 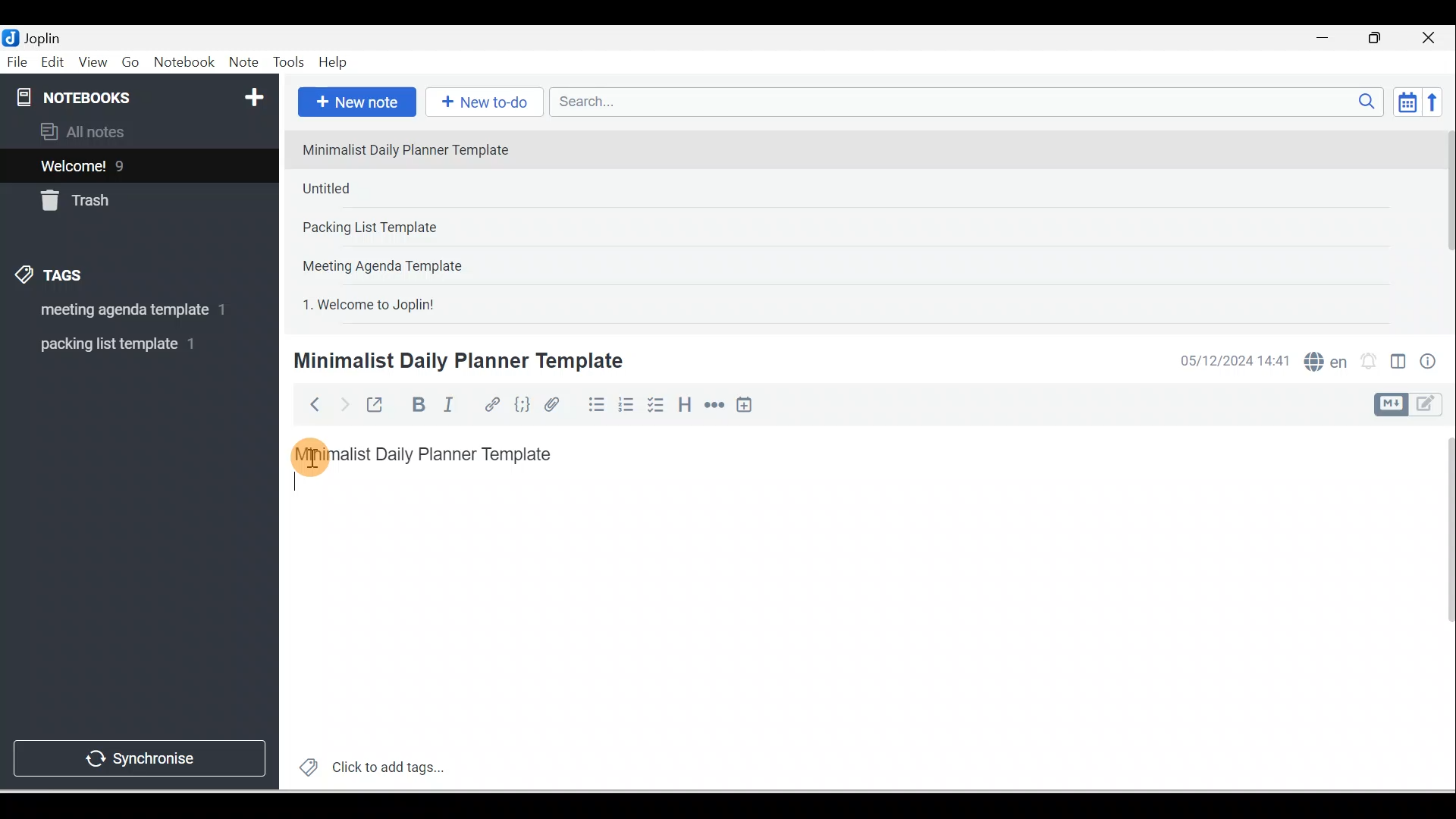 What do you see at coordinates (128, 162) in the screenshot?
I see `Notes` at bounding box center [128, 162].